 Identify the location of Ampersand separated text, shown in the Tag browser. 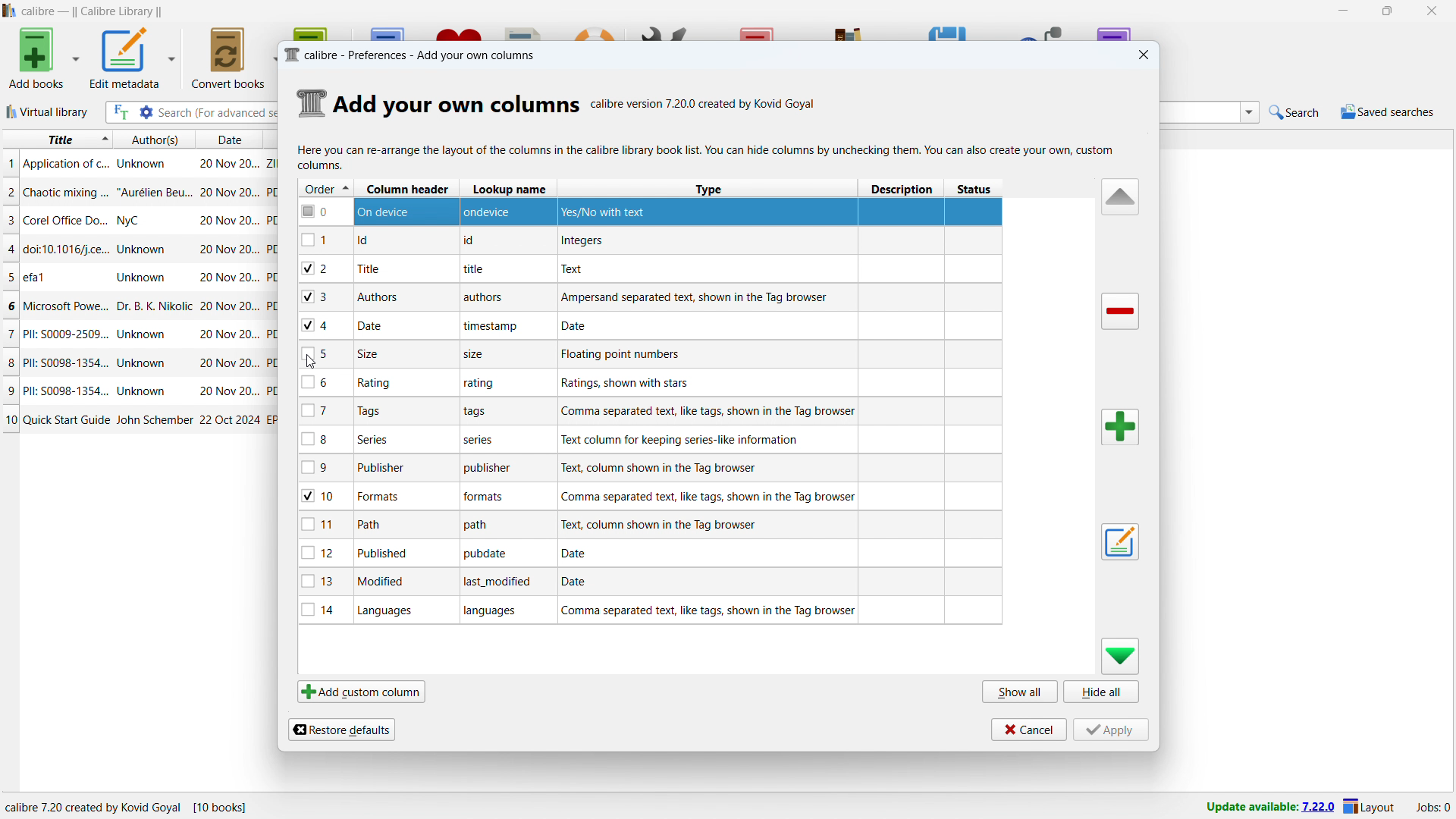
(698, 297).